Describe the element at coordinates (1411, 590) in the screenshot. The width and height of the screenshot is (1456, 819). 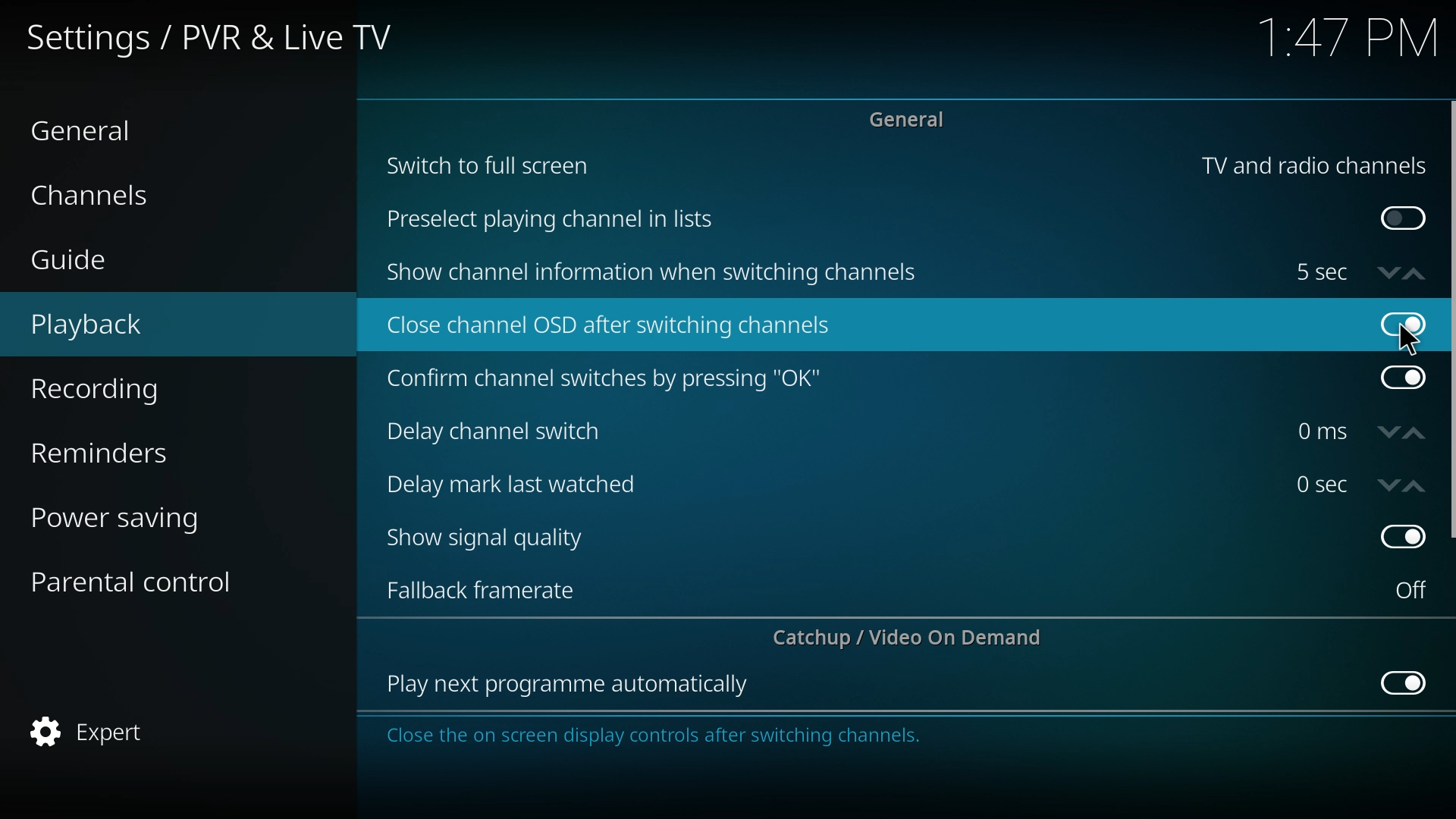
I see `on` at that location.